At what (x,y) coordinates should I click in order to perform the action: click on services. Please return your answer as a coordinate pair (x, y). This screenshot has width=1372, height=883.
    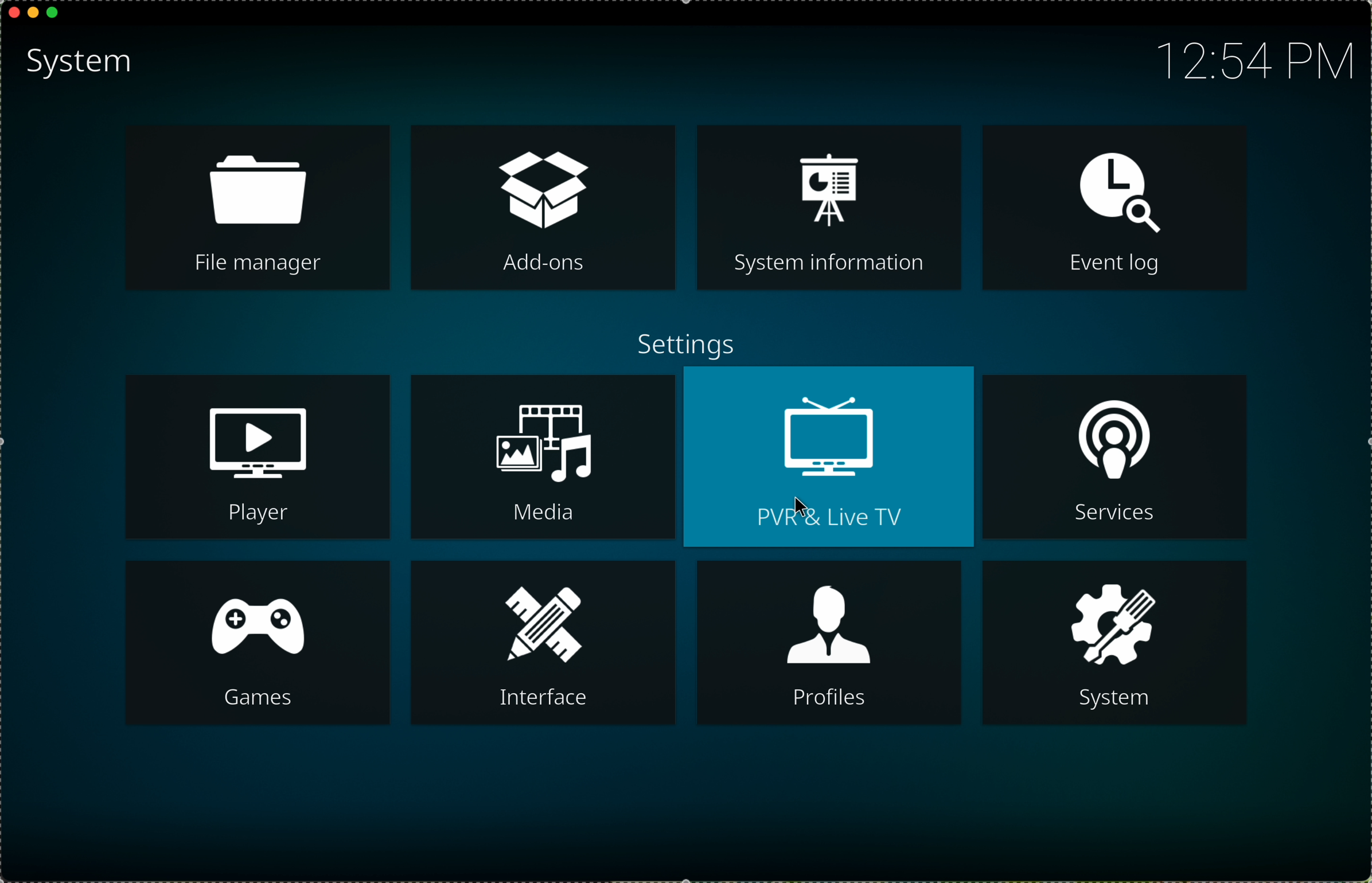
    Looking at the image, I should click on (1114, 455).